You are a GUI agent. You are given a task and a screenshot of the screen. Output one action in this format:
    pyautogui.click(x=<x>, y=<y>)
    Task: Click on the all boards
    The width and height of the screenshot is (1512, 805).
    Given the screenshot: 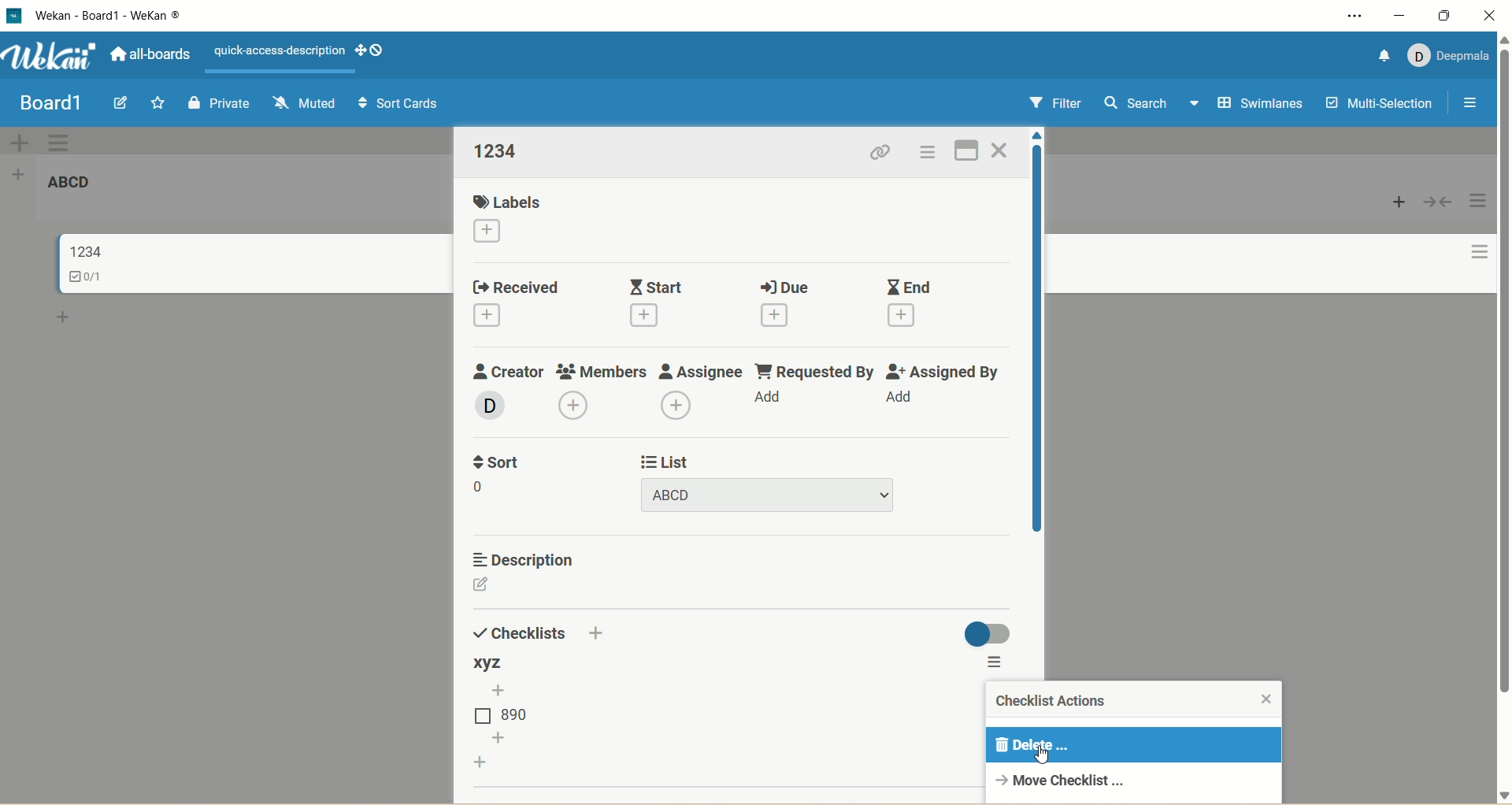 What is the action you would take?
    pyautogui.click(x=147, y=54)
    